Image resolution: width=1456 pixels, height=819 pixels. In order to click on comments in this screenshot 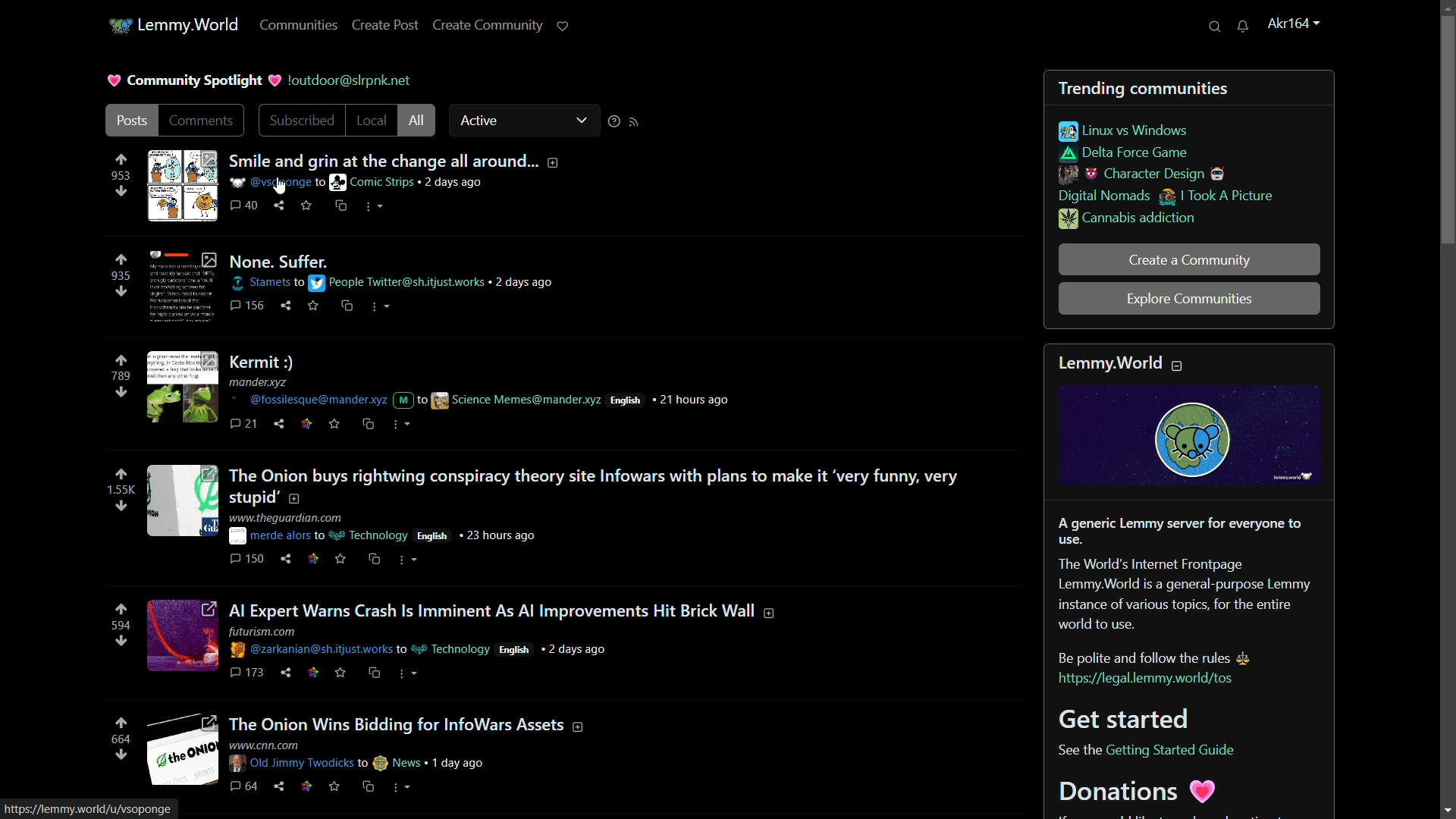, I will do `click(245, 558)`.